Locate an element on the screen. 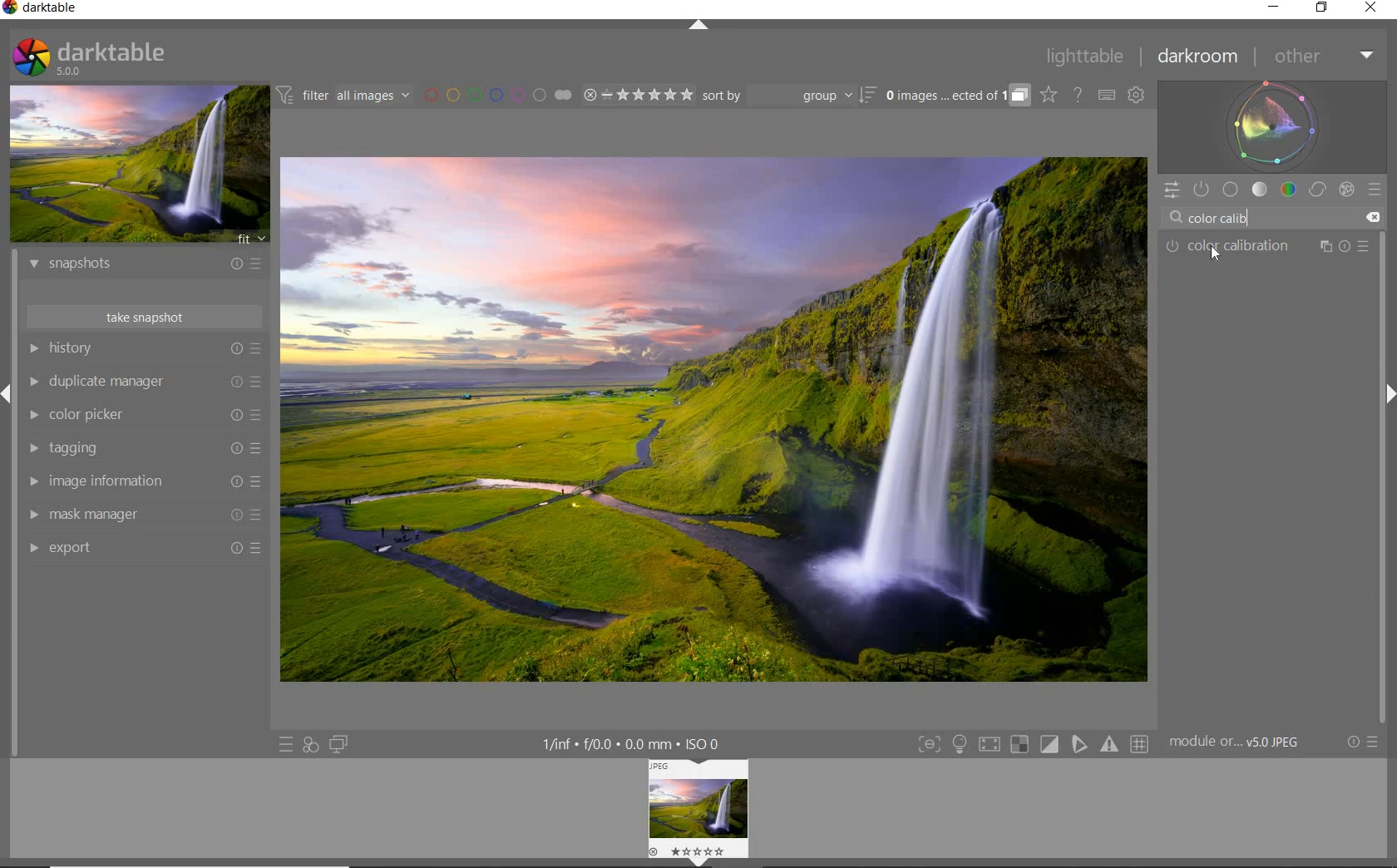 The image size is (1397, 868). image preview is located at coordinates (698, 806).